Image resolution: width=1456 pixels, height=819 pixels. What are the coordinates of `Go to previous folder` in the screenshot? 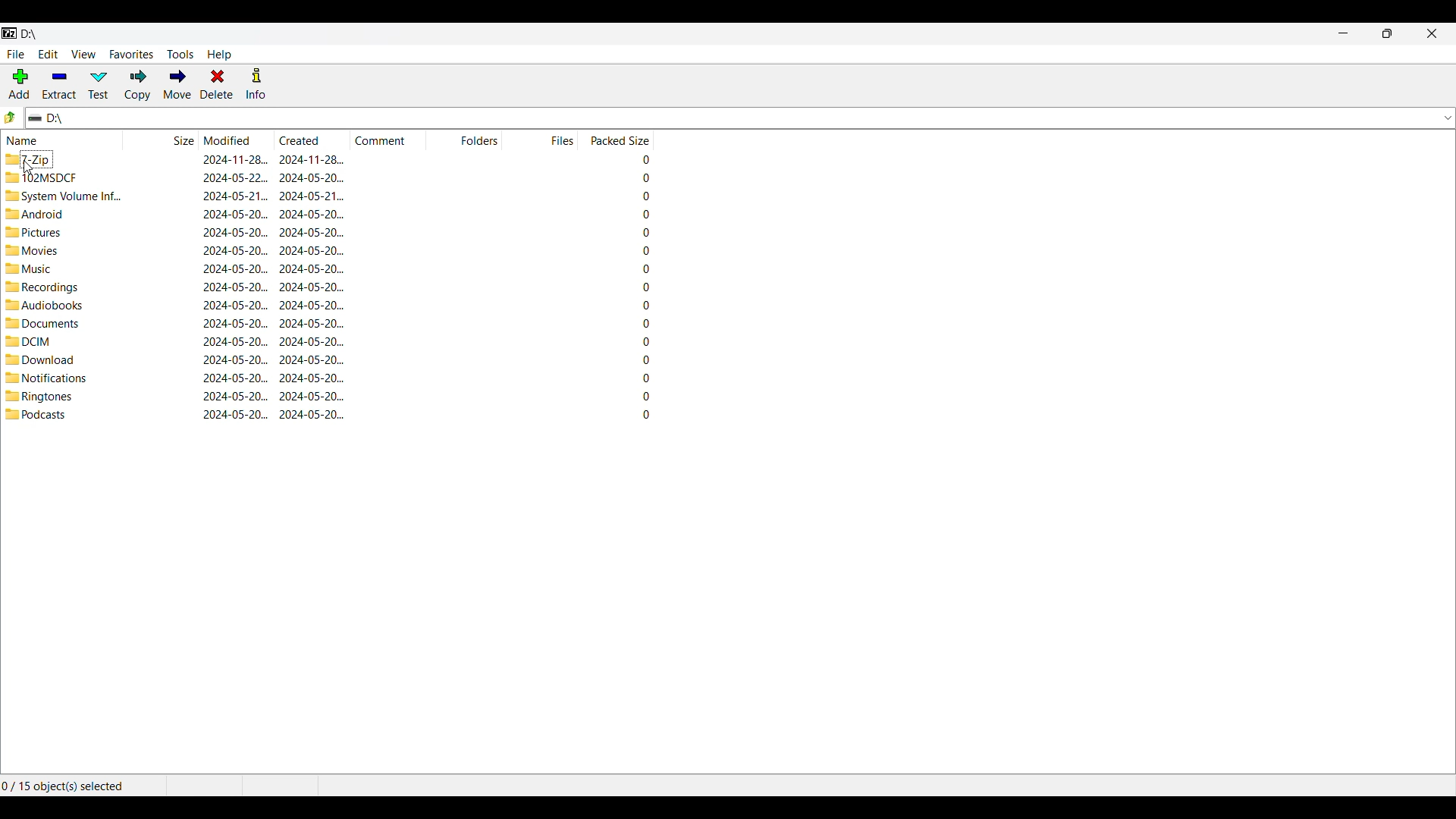 It's located at (10, 118).